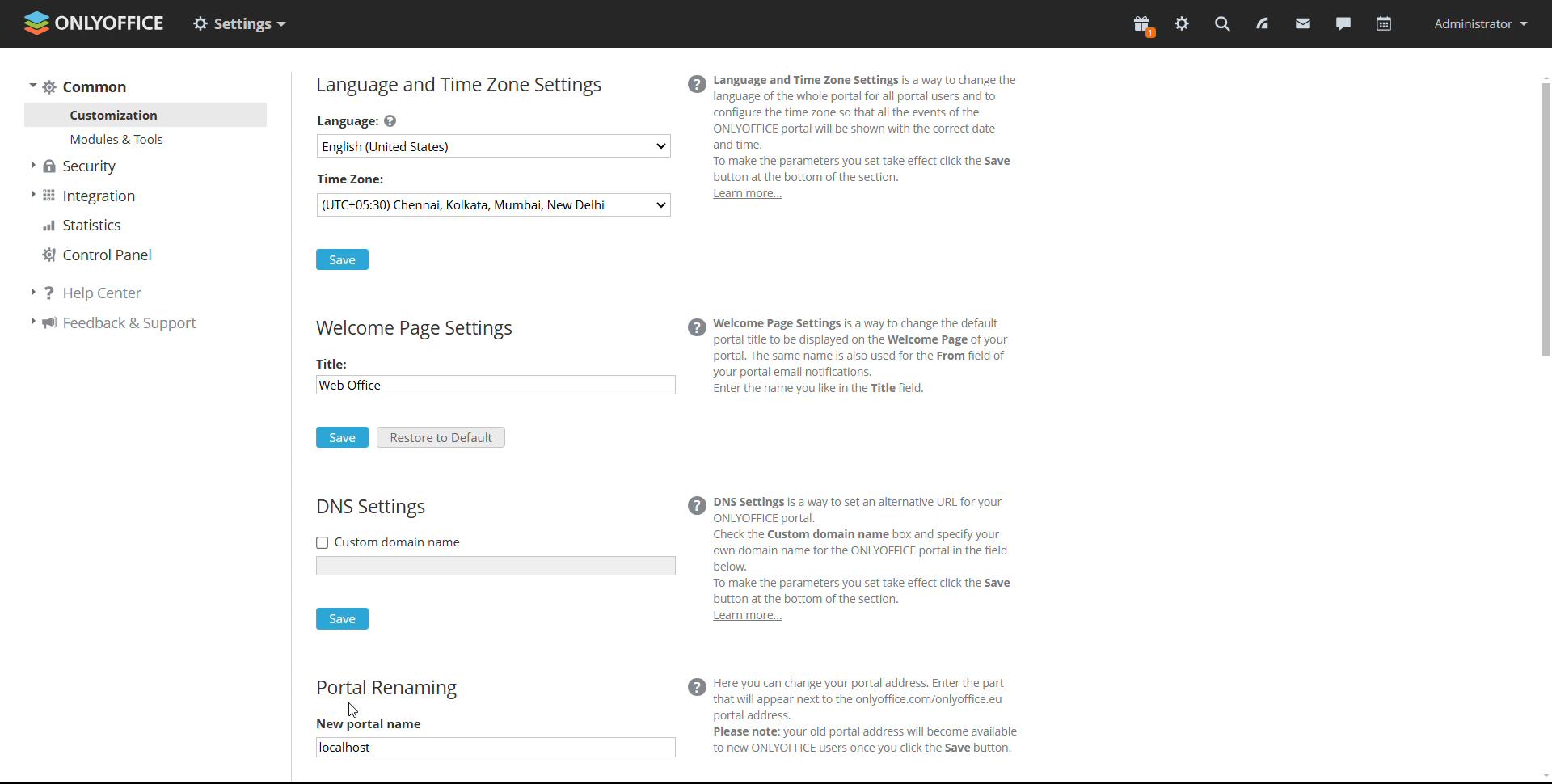 This screenshot has height=784, width=1552. Describe the element at coordinates (353, 177) in the screenshot. I see `time zone` at that location.